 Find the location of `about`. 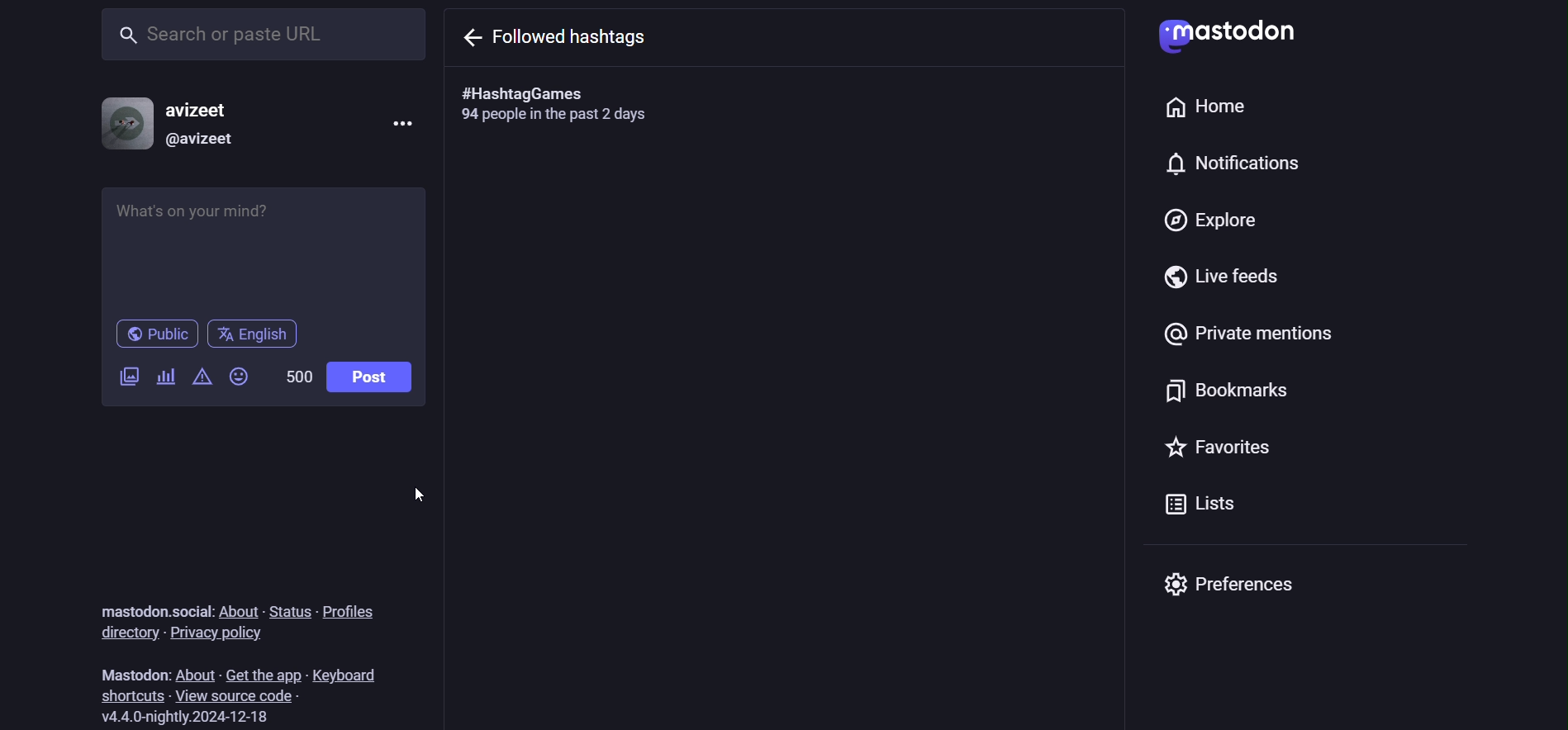

about is located at coordinates (237, 609).